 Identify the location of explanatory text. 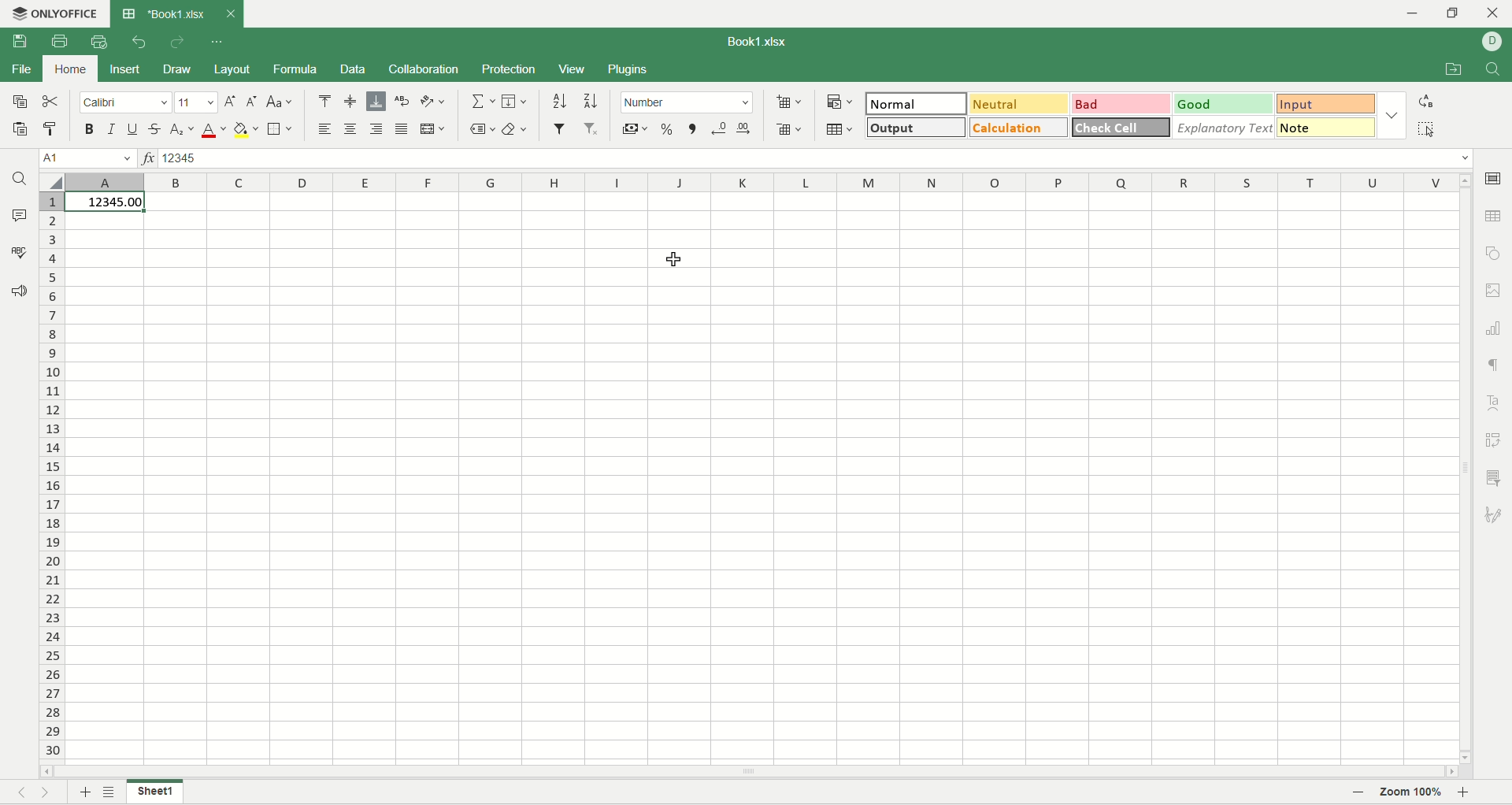
(1221, 126).